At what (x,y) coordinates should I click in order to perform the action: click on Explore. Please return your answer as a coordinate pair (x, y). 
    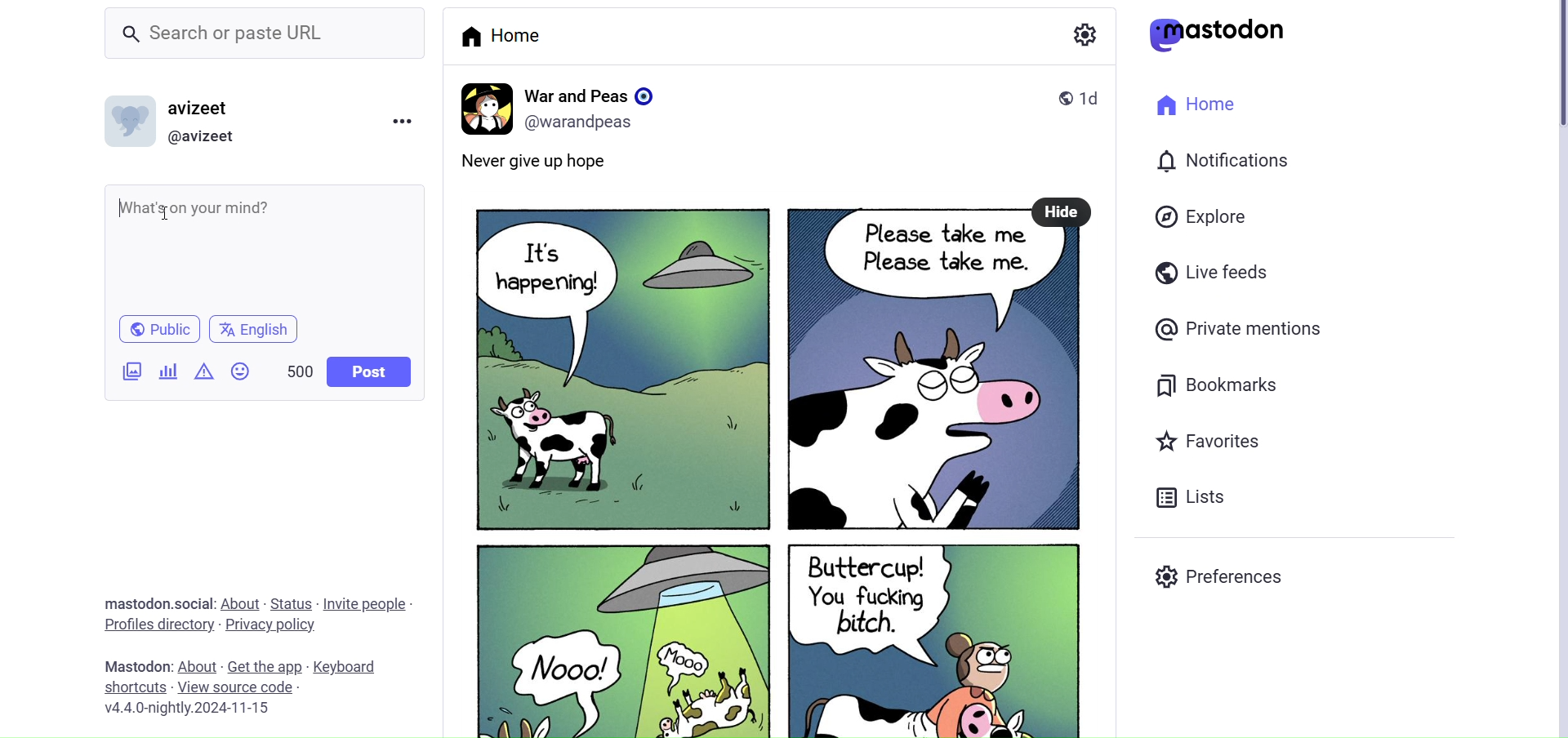
    Looking at the image, I should click on (1200, 216).